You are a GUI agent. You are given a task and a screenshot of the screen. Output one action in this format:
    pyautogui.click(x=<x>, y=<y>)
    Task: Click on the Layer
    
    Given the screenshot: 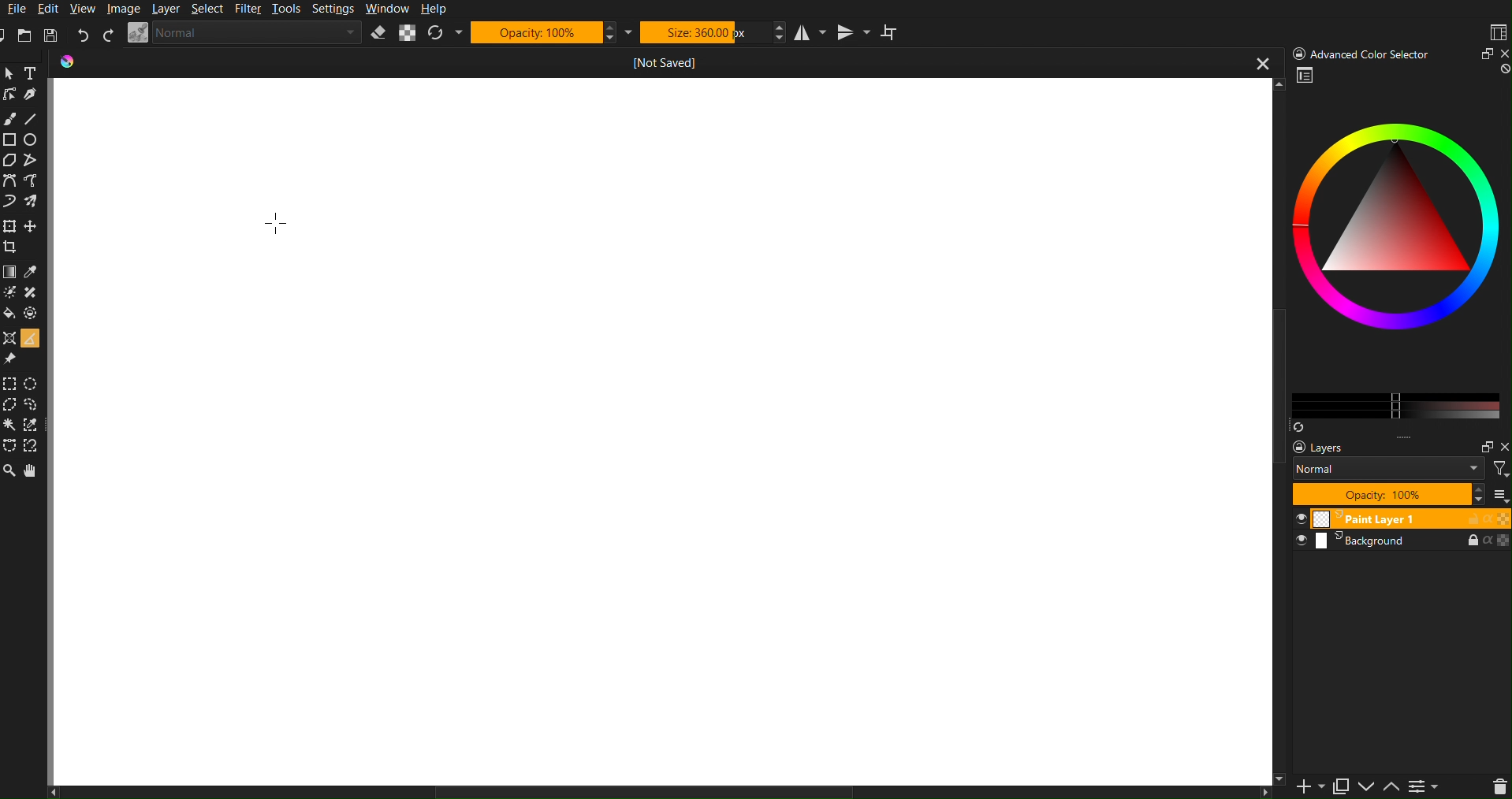 What is the action you would take?
    pyautogui.click(x=167, y=9)
    